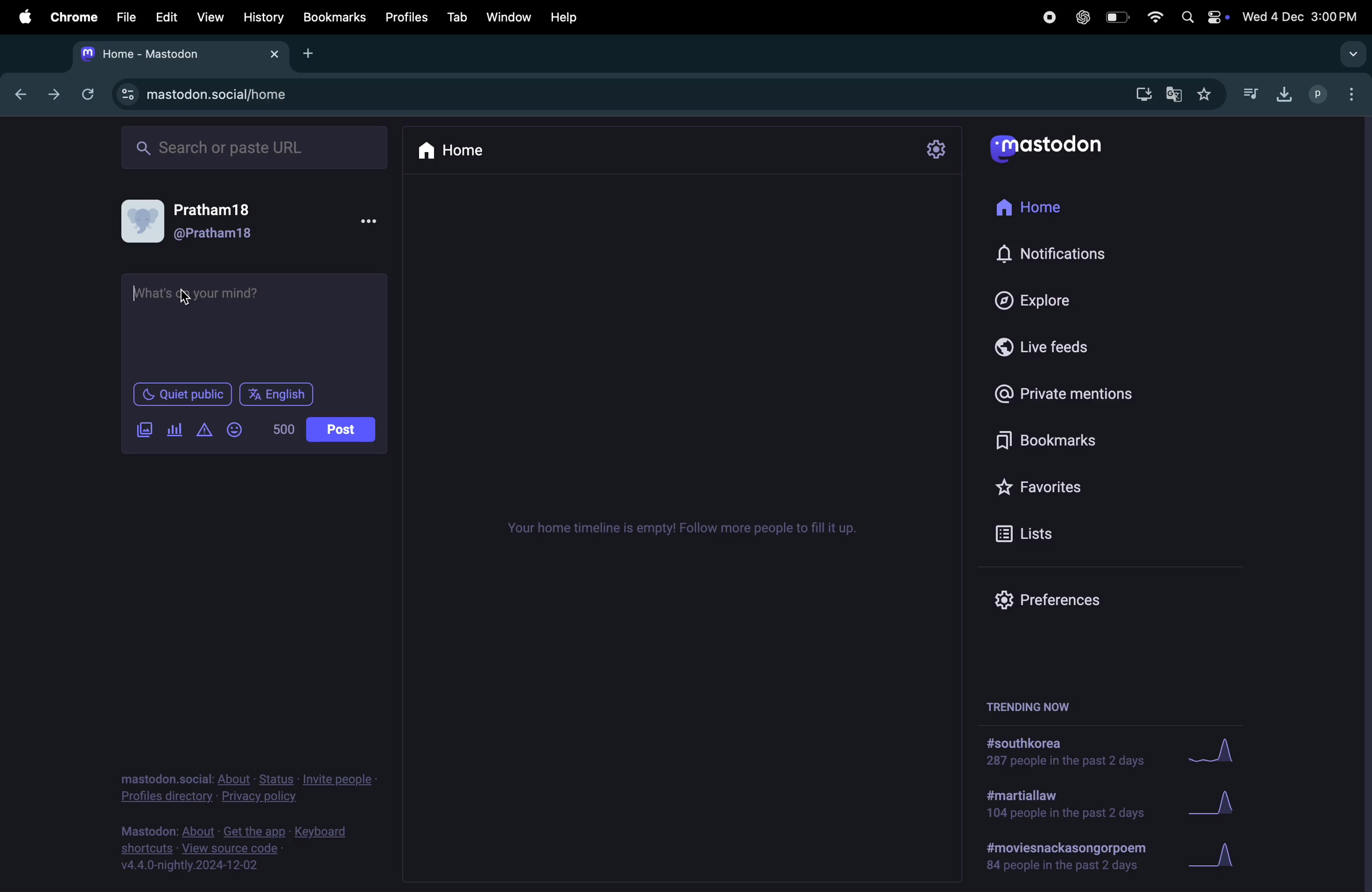  Describe the element at coordinates (1299, 17) in the screenshot. I see `date and time` at that location.